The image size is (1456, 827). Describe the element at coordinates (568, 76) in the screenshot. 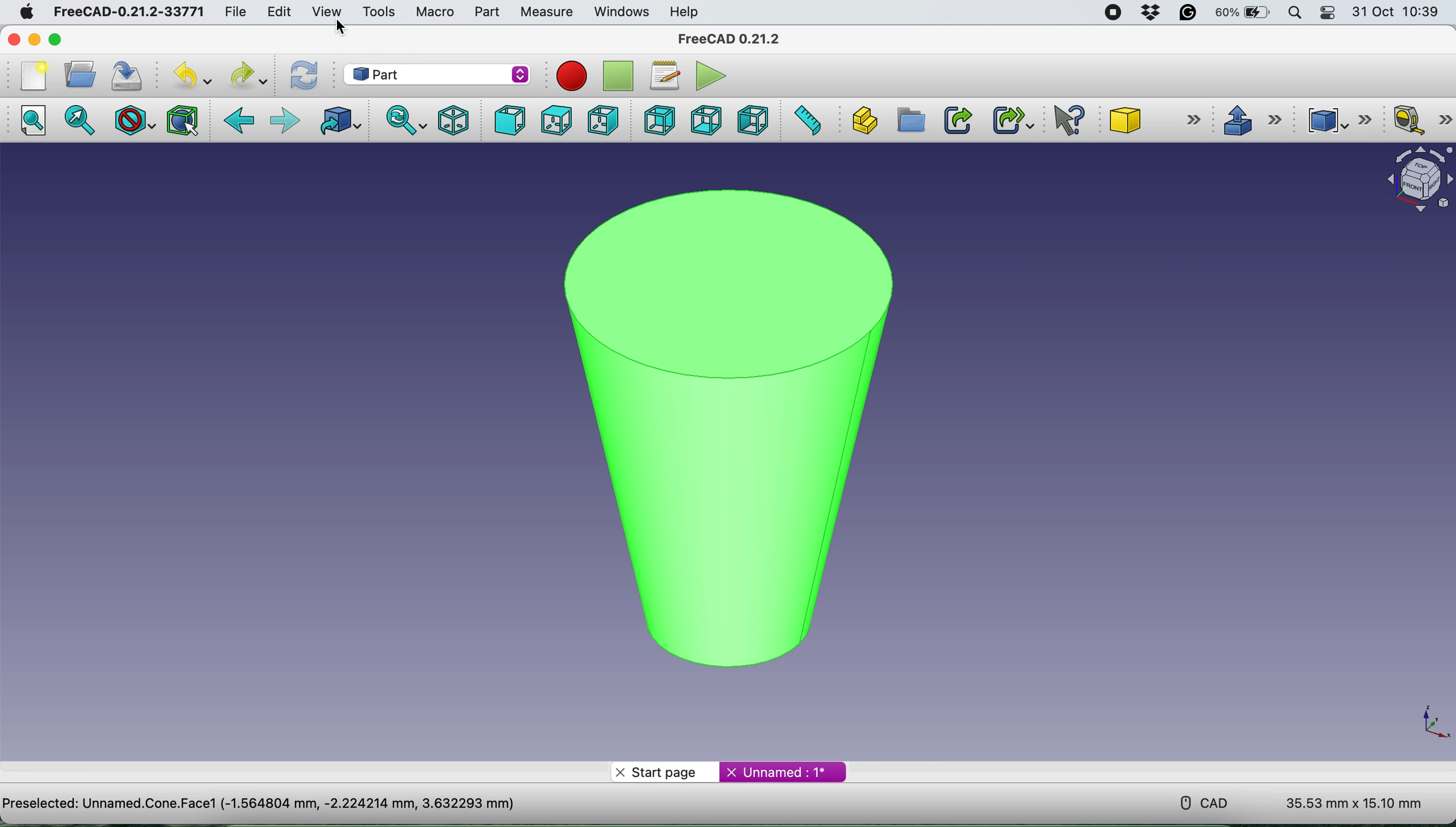

I see `stop macros` at that location.